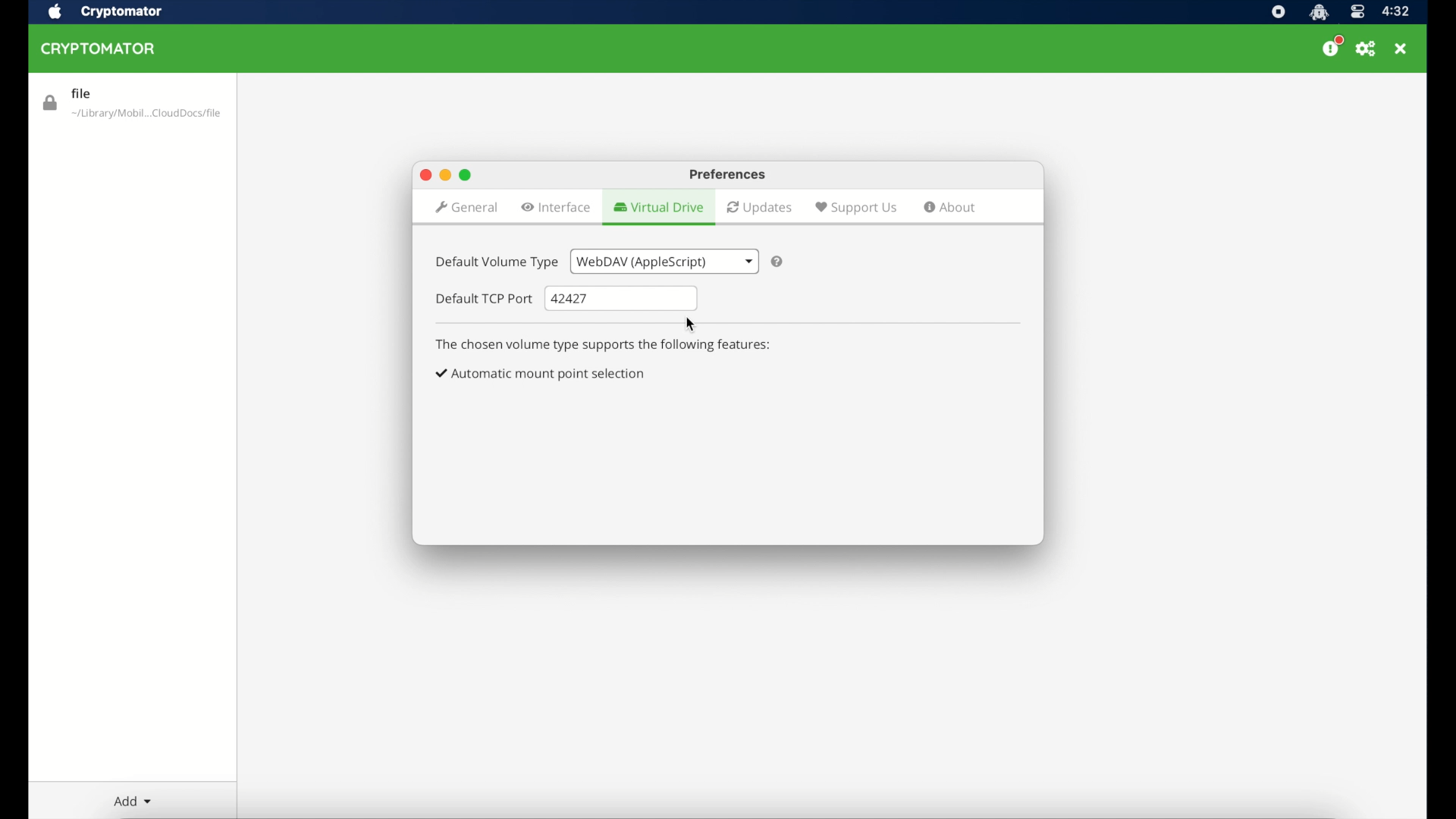  What do you see at coordinates (1367, 49) in the screenshot?
I see `preferences` at bounding box center [1367, 49].